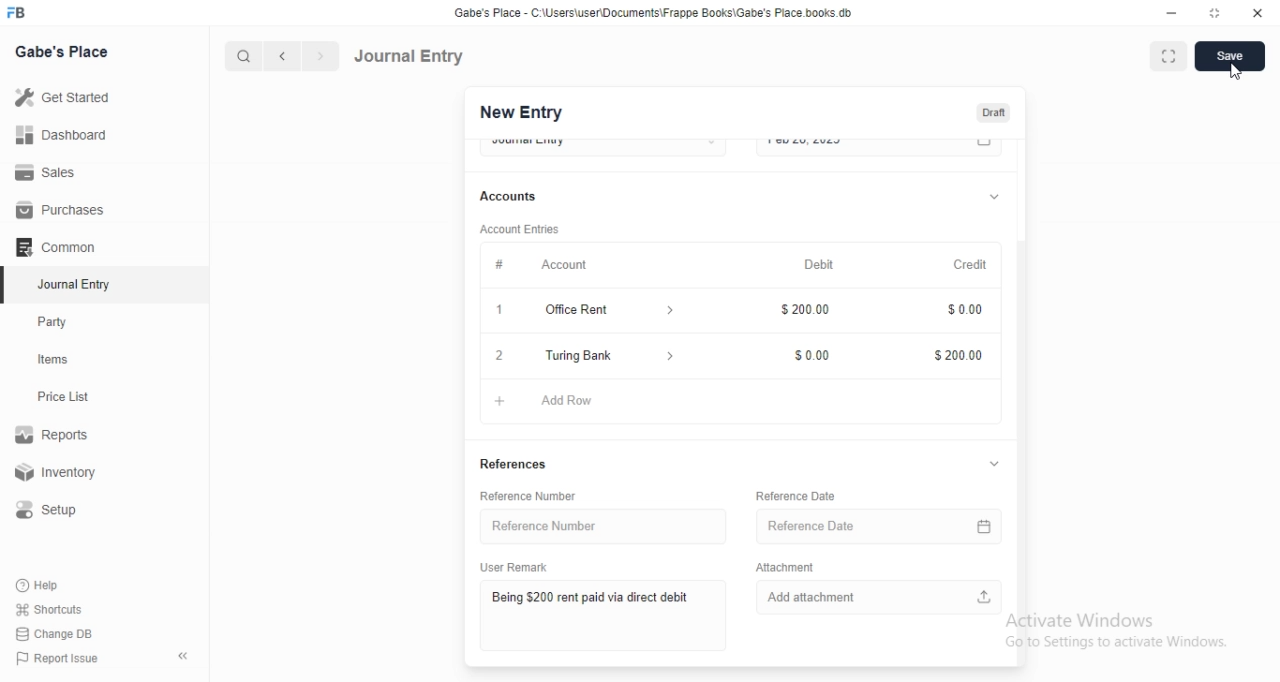 The image size is (1280, 682). What do you see at coordinates (1170, 12) in the screenshot?
I see `minimize` at bounding box center [1170, 12].